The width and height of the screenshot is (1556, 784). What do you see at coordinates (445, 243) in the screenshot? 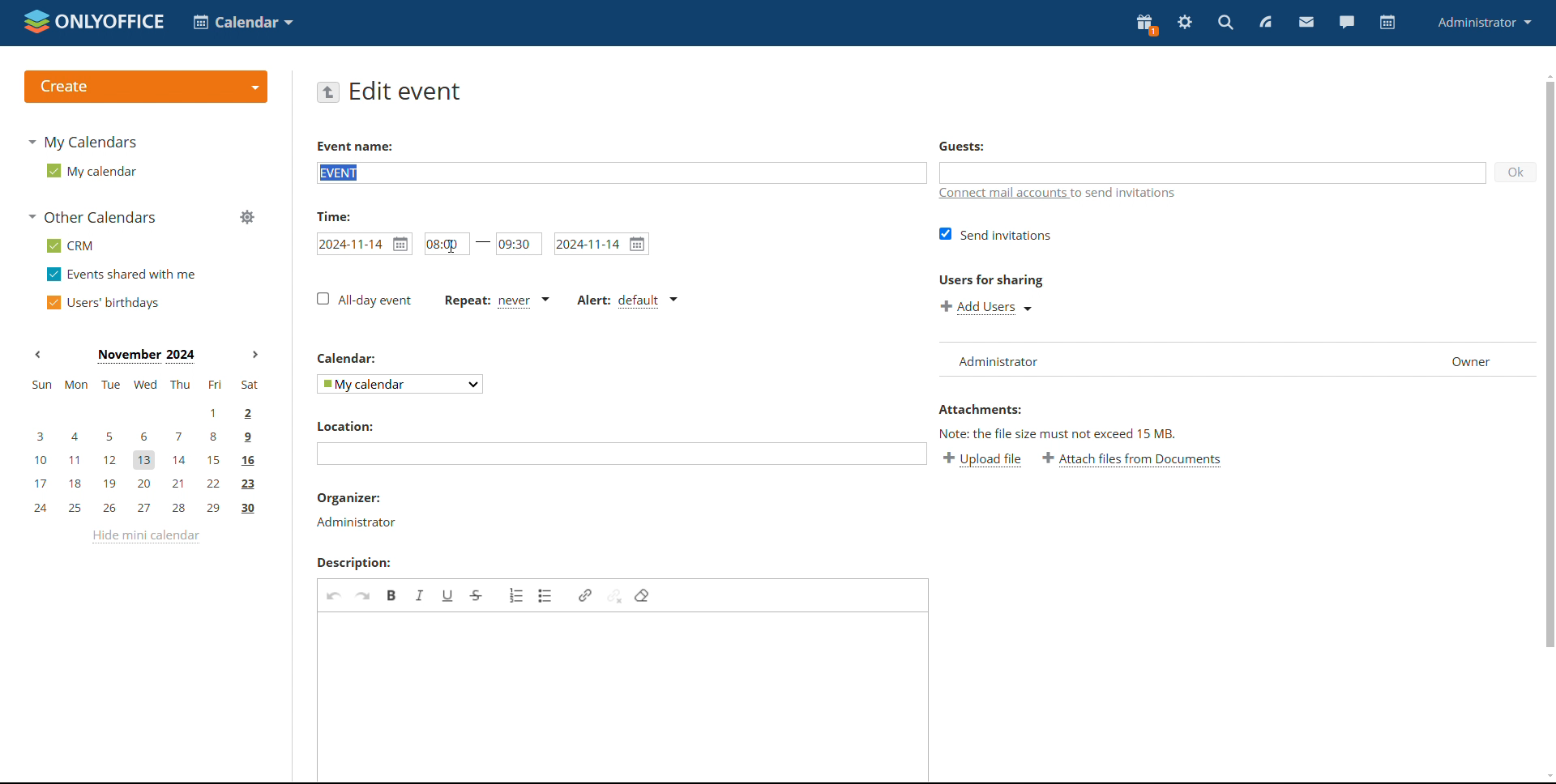
I see `start time` at bounding box center [445, 243].